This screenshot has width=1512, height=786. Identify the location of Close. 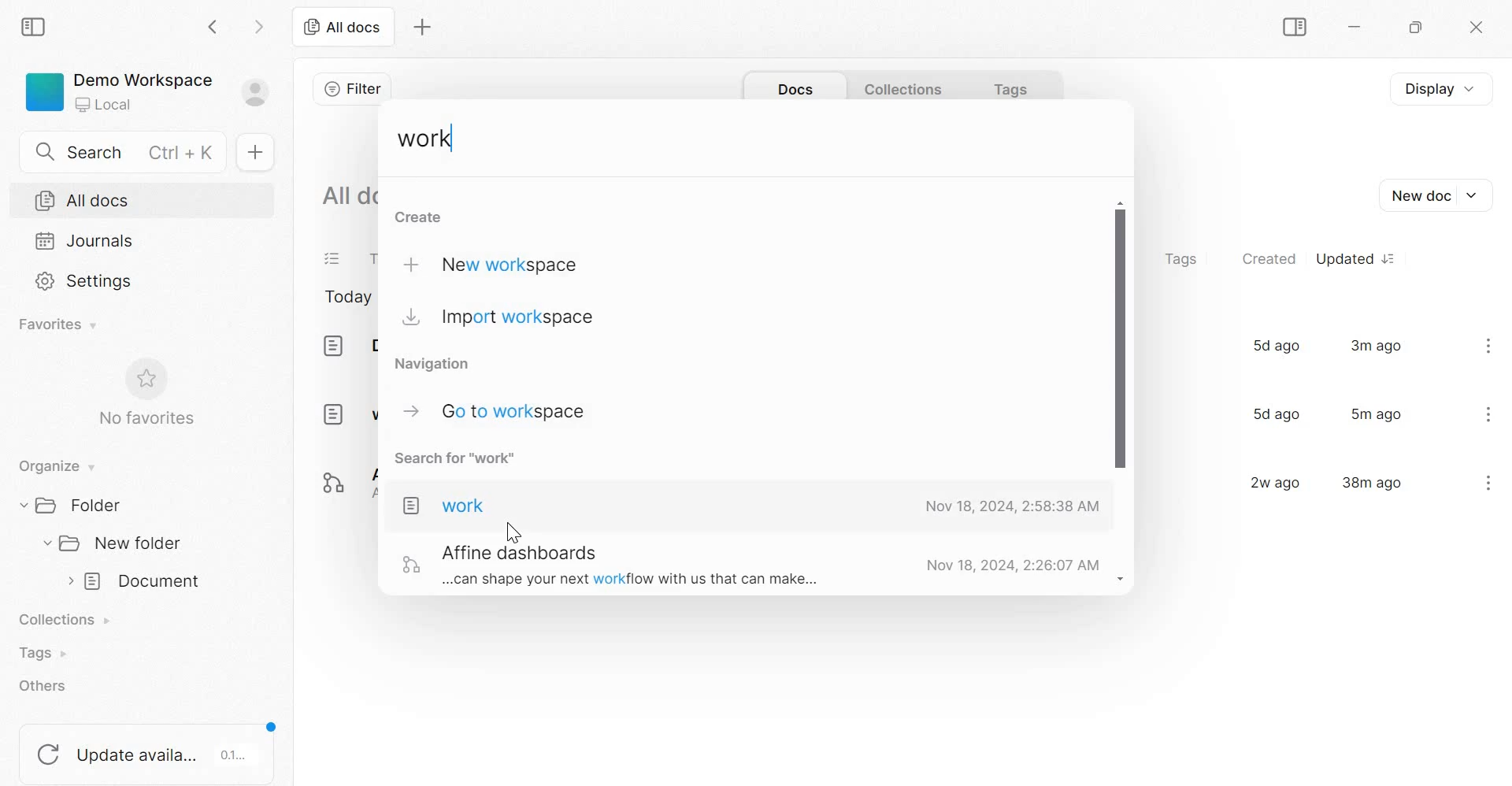
(1473, 28).